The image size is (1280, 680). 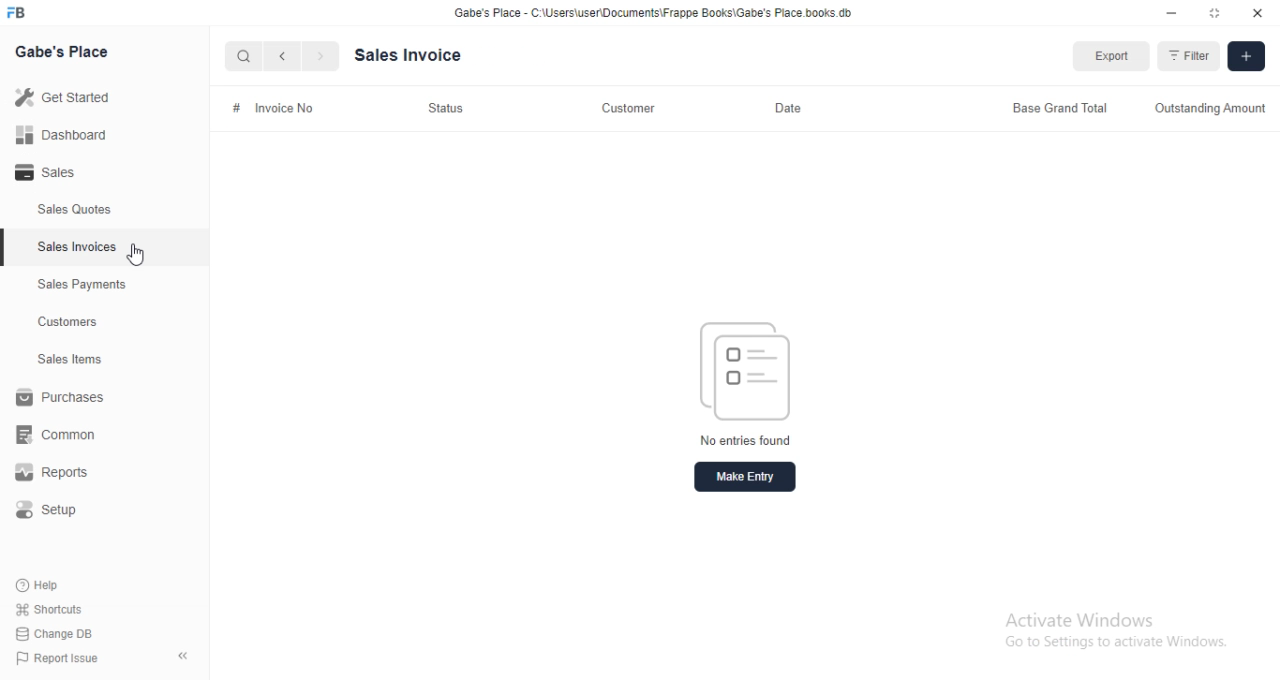 What do you see at coordinates (657, 13) in the screenshot?
I see `Gabe's Place - C'\Users\userDocuments\Frappe Books\Gabe's Place books db` at bounding box center [657, 13].